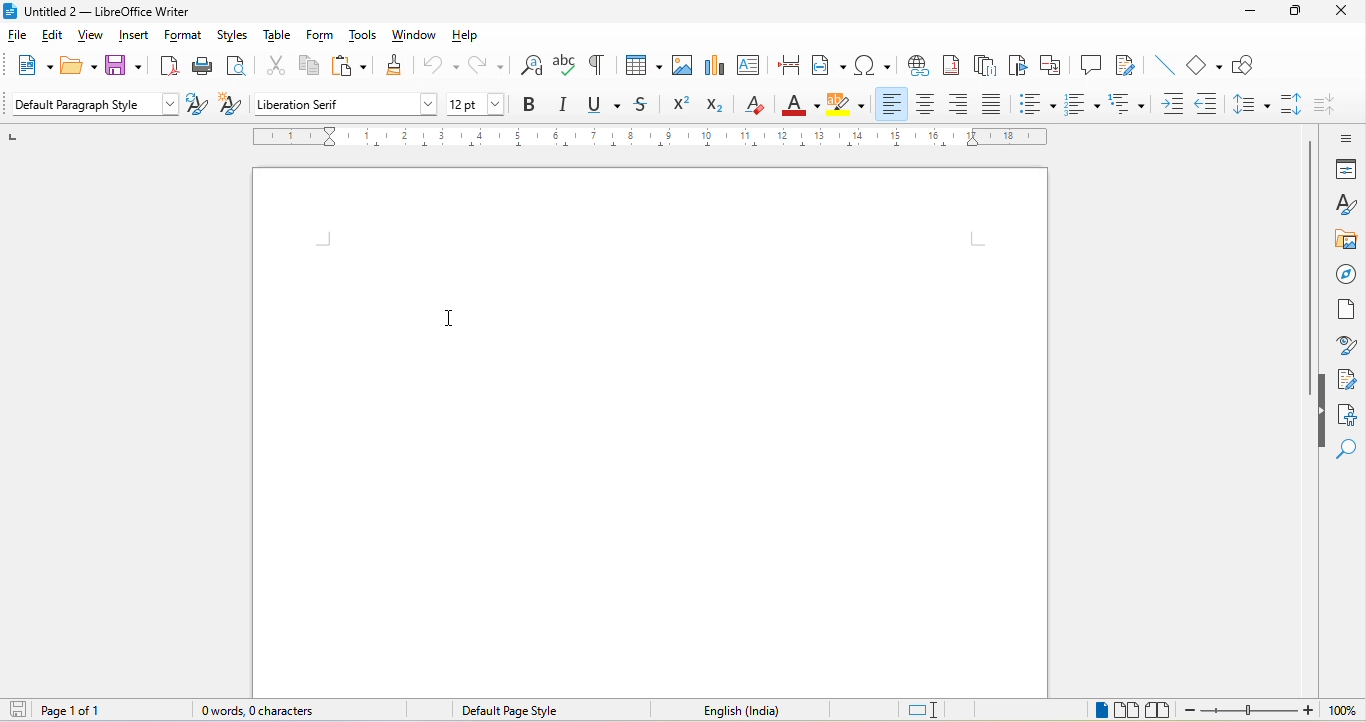  Describe the element at coordinates (314, 69) in the screenshot. I see `copy` at that location.